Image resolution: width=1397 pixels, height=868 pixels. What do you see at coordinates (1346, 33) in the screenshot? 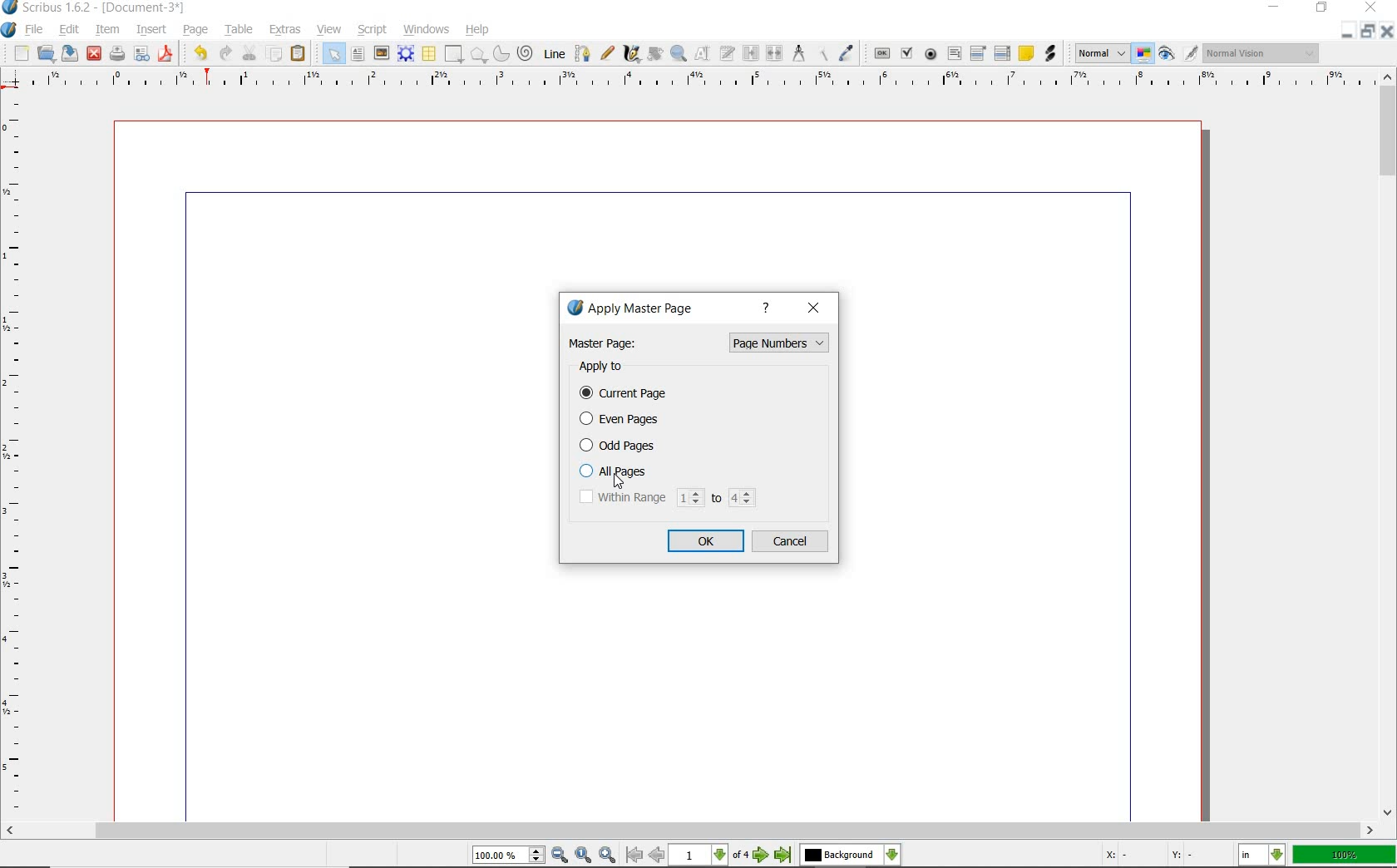
I see `Restore Down` at bounding box center [1346, 33].